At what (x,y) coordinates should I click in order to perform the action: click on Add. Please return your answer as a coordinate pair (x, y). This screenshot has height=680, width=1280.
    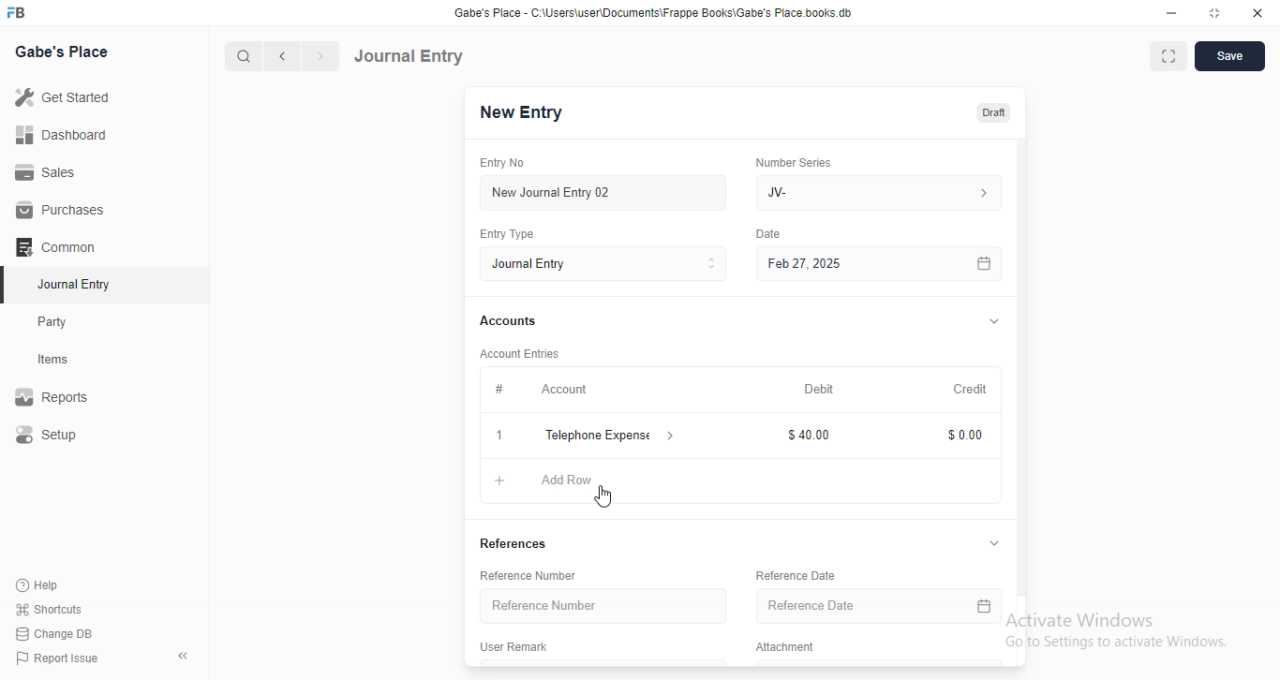
    Looking at the image, I should click on (499, 435).